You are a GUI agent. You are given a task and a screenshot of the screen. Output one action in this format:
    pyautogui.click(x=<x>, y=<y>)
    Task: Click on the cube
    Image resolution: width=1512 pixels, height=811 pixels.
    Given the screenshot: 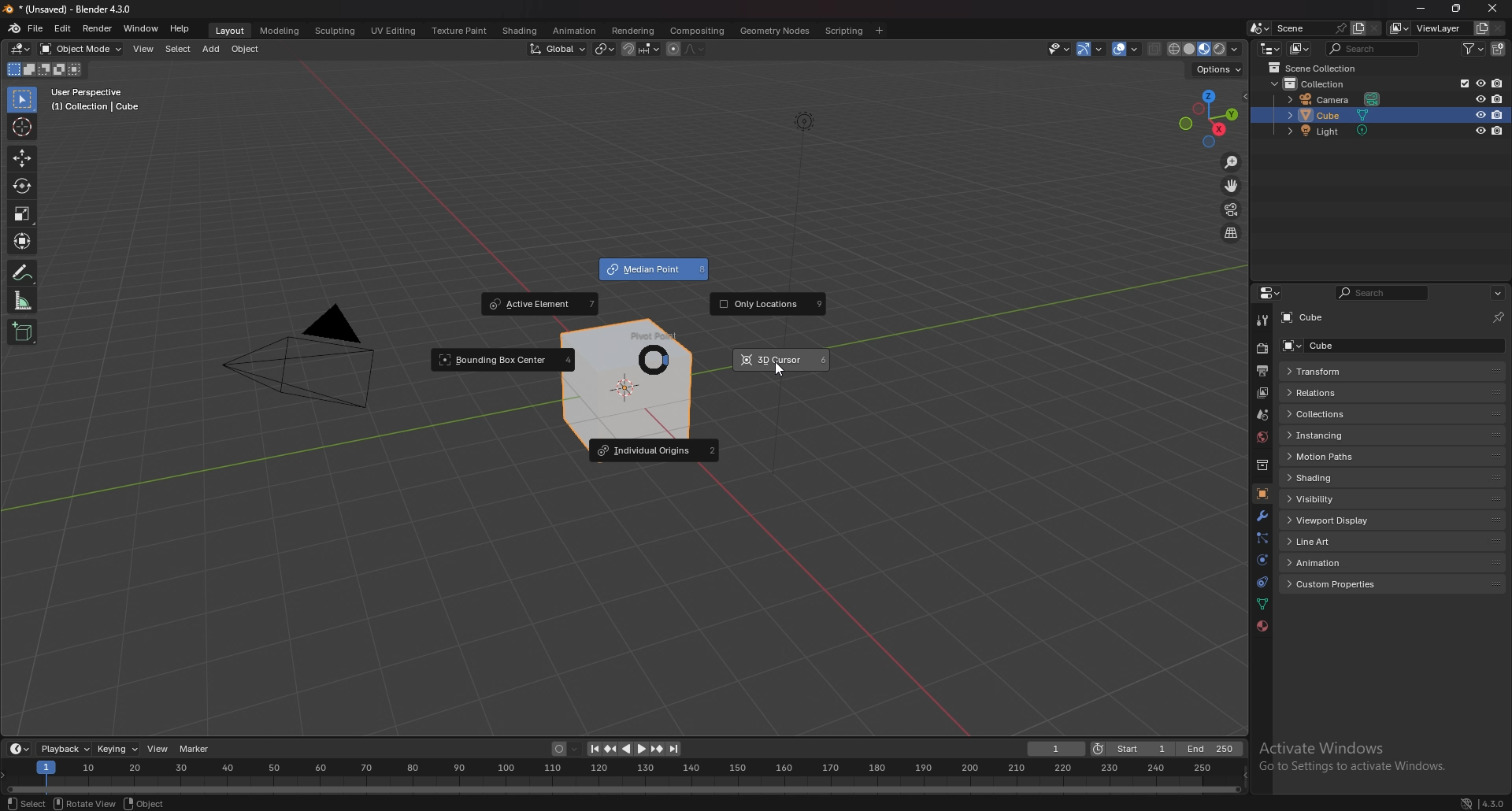 What is the action you would take?
    pyautogui.click(x=1309, y=318)
    